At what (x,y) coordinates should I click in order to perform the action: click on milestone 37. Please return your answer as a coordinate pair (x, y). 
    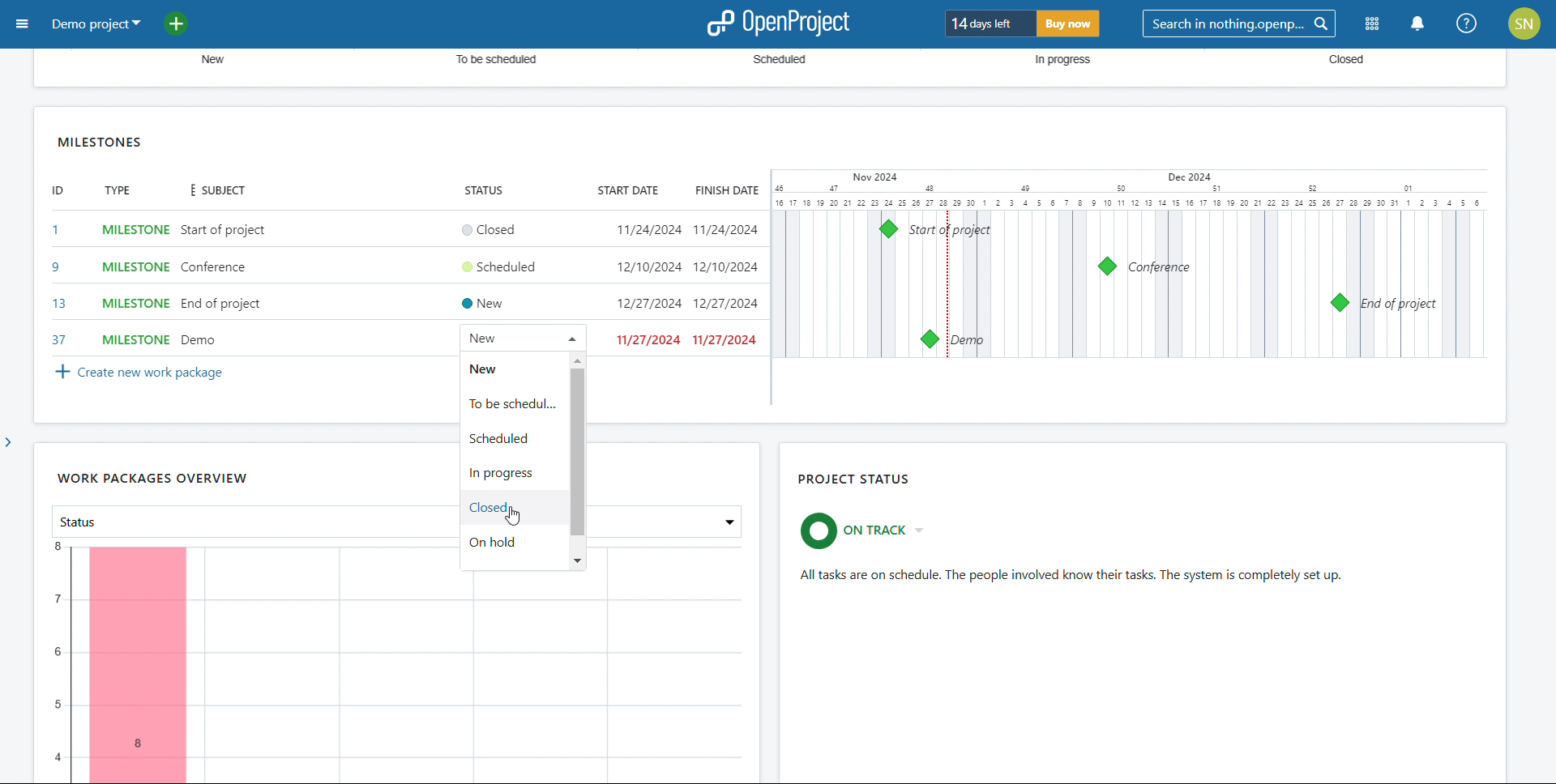
    Looking at the image, I should click on (929, 339).